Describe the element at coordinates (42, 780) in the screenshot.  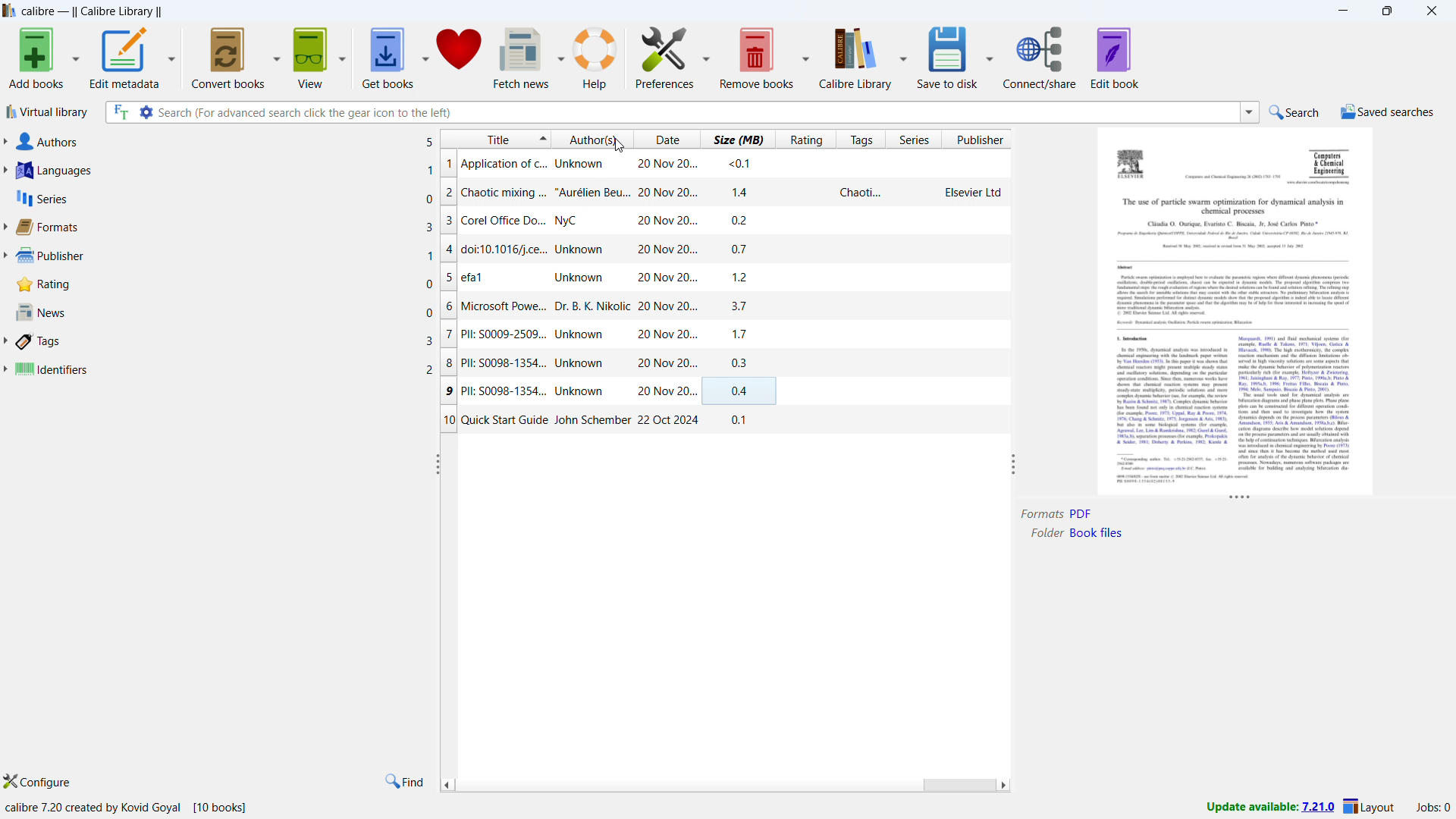
I see `configure` at that location.